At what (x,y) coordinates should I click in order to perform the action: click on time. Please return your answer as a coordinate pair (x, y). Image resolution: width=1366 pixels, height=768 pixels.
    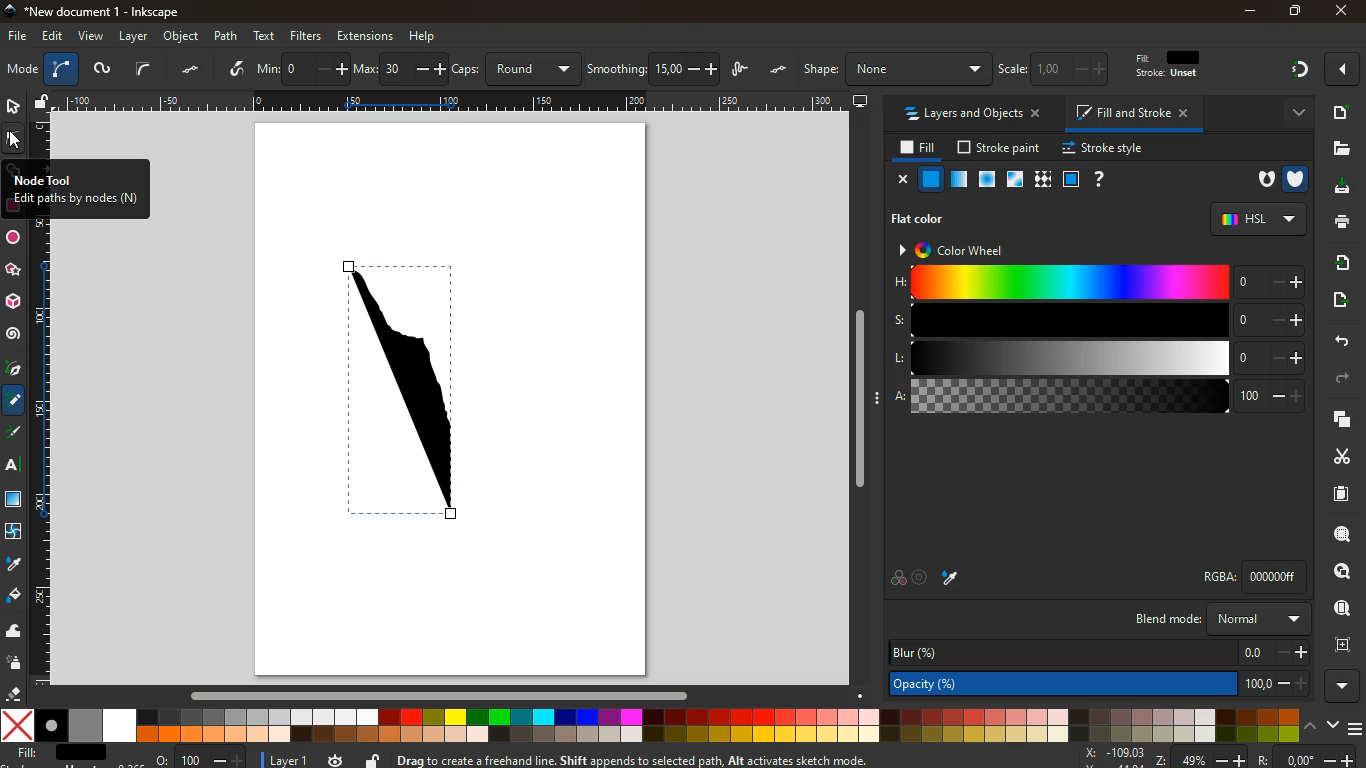
    Looking at the image, I should click on (336, 760).